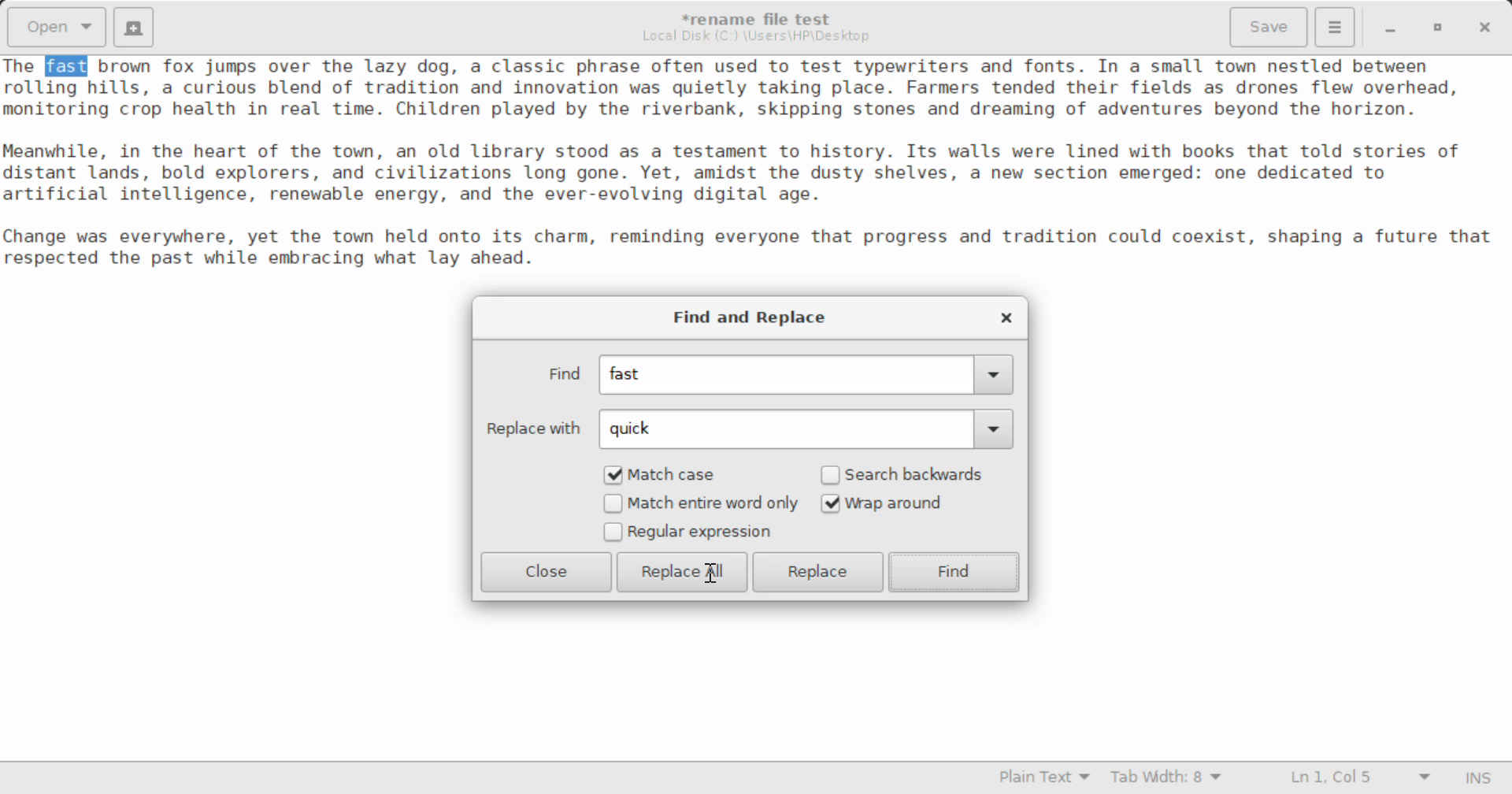 This screenshot has width=1512, height=794. I want to click on Ihe Tast brown Tox jumps over the lazy dog, a classic phrase often used to test typewriters and fonts. In a small town nestled between
rolling hills, a curious blend of tradition and innovation was quietly taking place. Farmers tended their fields as drones flew overhead,
nonitoring crop health in real time. Children played by the riverbank, skipping stones and dreaming of adventures beyond the horizon.
leanwhile, in the heart of the town, an old library stood as a testament to history. Its walls were lined with books that told stories of
iistant lands, bold explorers, and civilizations long gone. Yet, amidst the dusty shelves, a new section emerged: one dedicated to
artificial intelligence, renewable energy, and the ever-evolving digital age.

“hange was everywhere, yet the town held onto its charm, reminding everyone that progress and tradition could coexist, shaping a future that
respected the past while embracing what lay ahead., so click(756, 177).